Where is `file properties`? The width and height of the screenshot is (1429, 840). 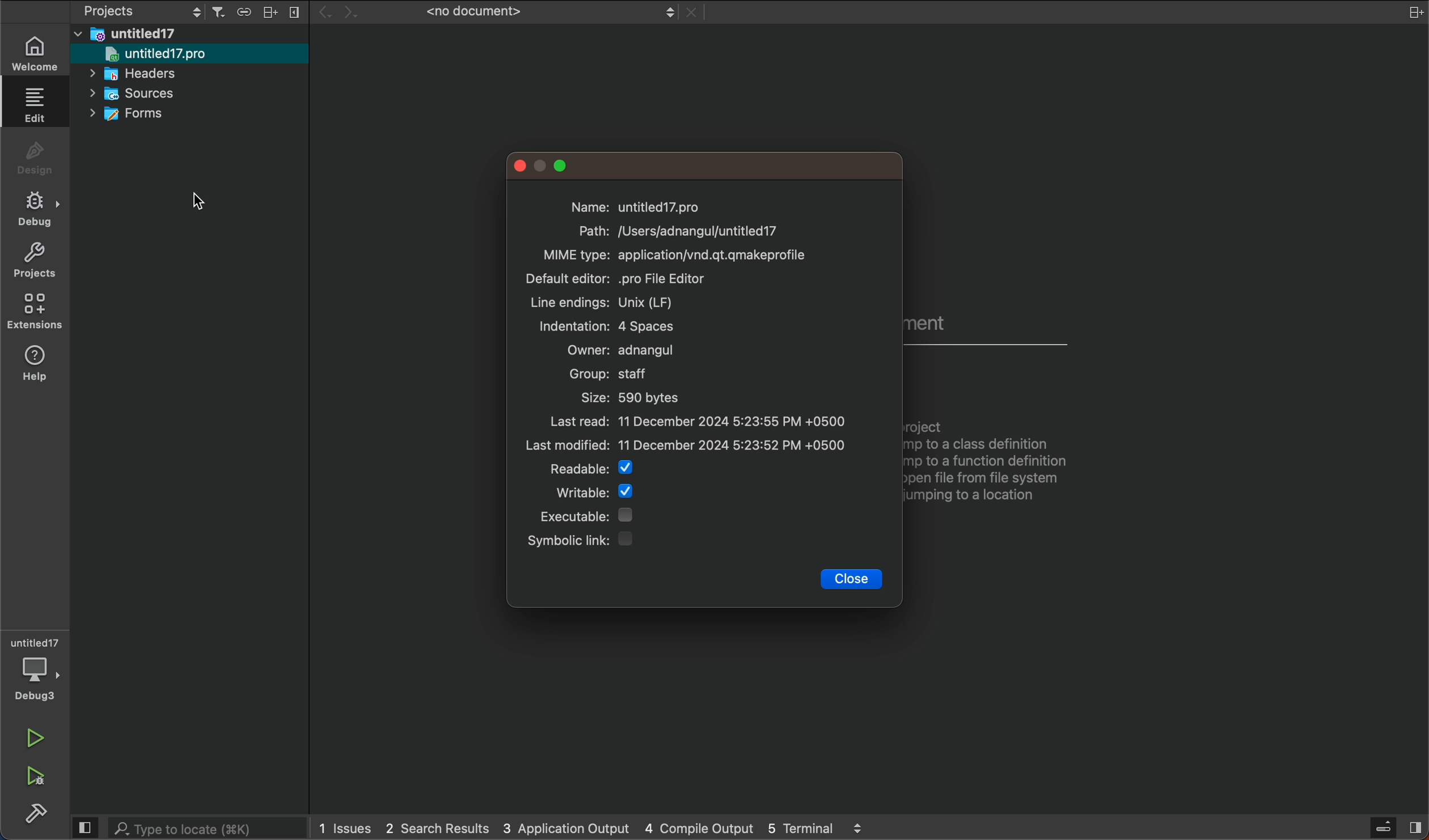 file properties is located at coordinates (709, 323).